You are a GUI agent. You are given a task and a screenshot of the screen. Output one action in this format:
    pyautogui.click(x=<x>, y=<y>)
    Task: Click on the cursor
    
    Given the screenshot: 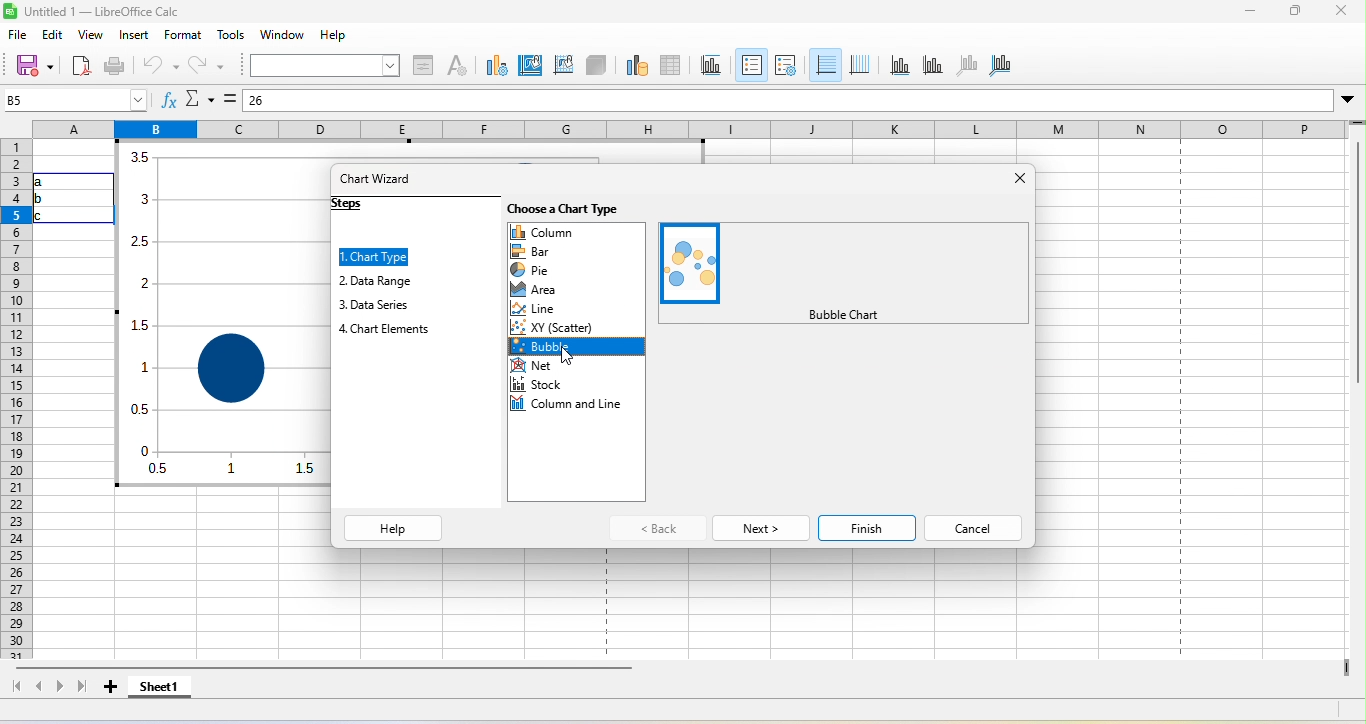 What is the action you would take?
    pyautogui.click(x=570, y=360)
    